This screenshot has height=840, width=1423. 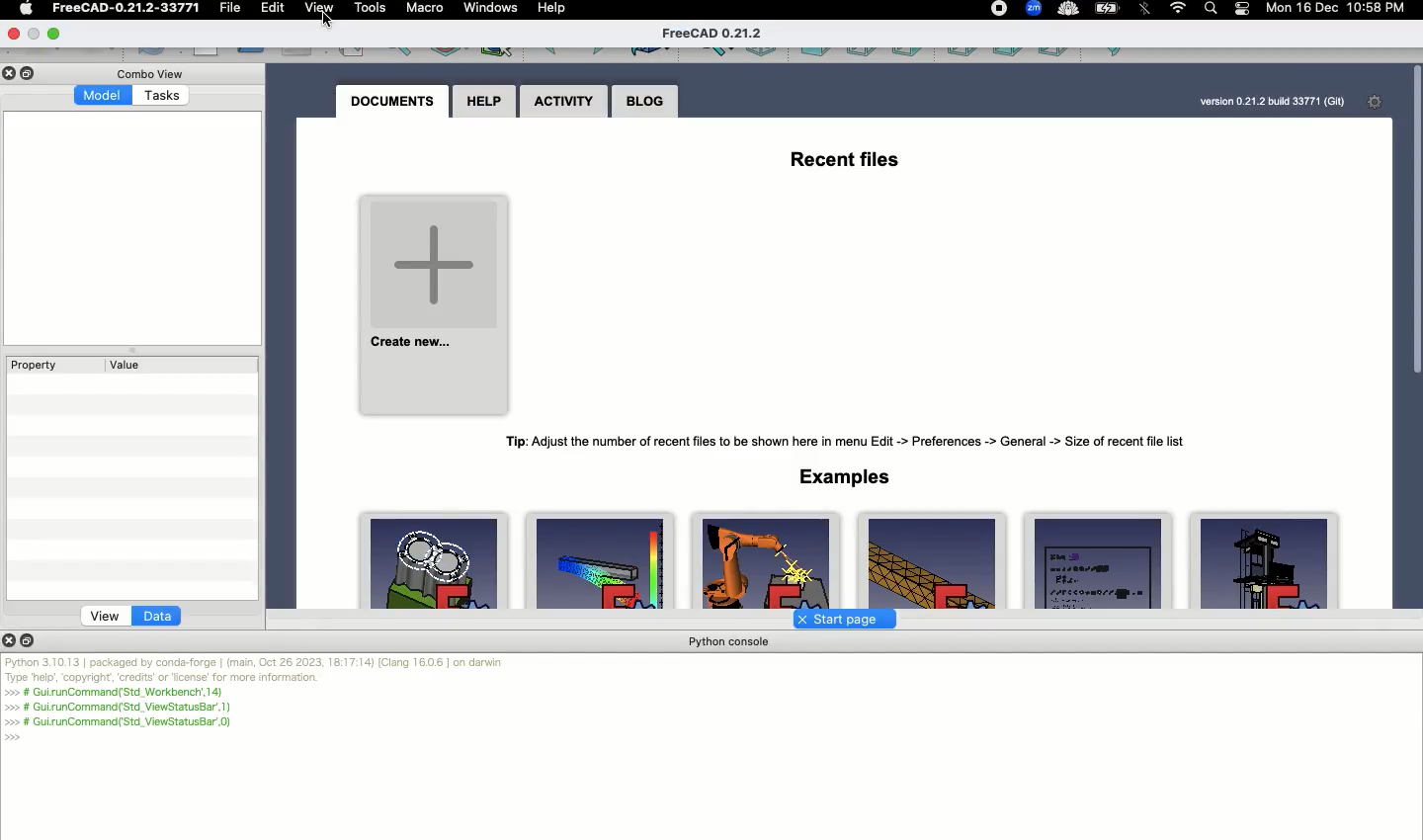 I want to click on Tip: Adiust the number of recent files to be shown here in menu Edit -> Preferences -> General -> Size of recent file list, so click(x=847, y=438).